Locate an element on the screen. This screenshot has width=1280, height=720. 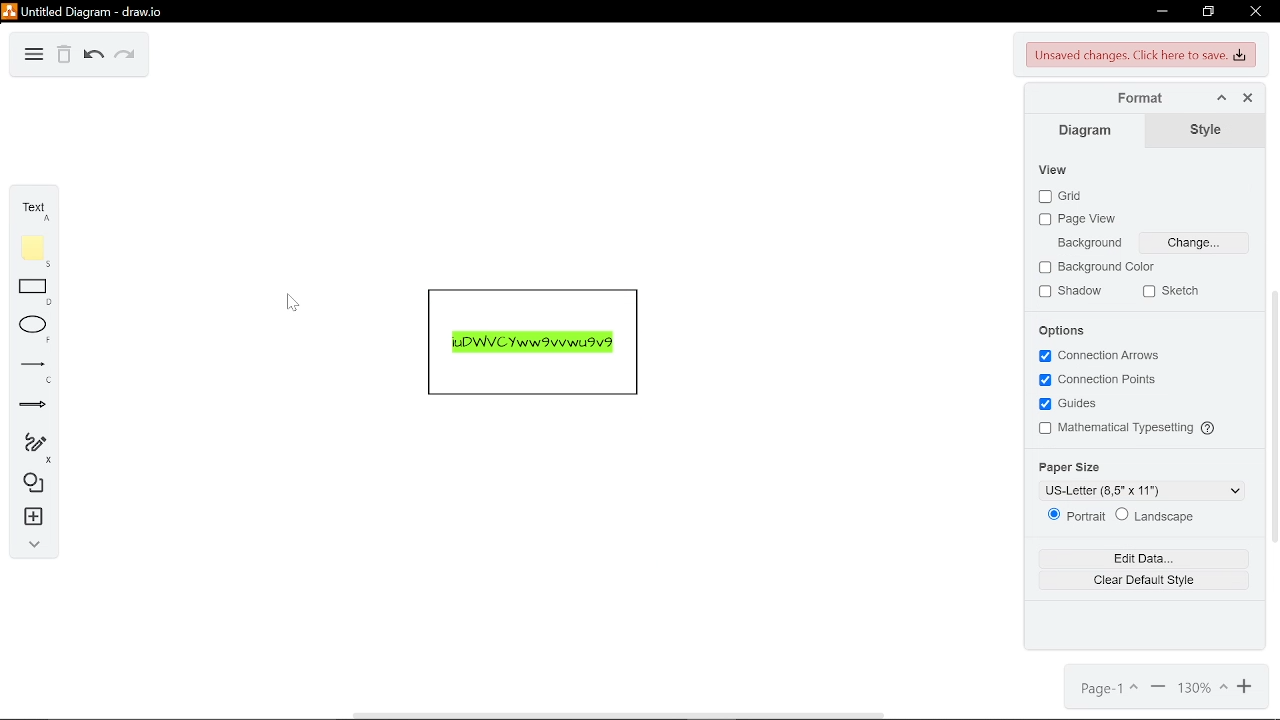
Background color is located at coordinates (1098, 268).